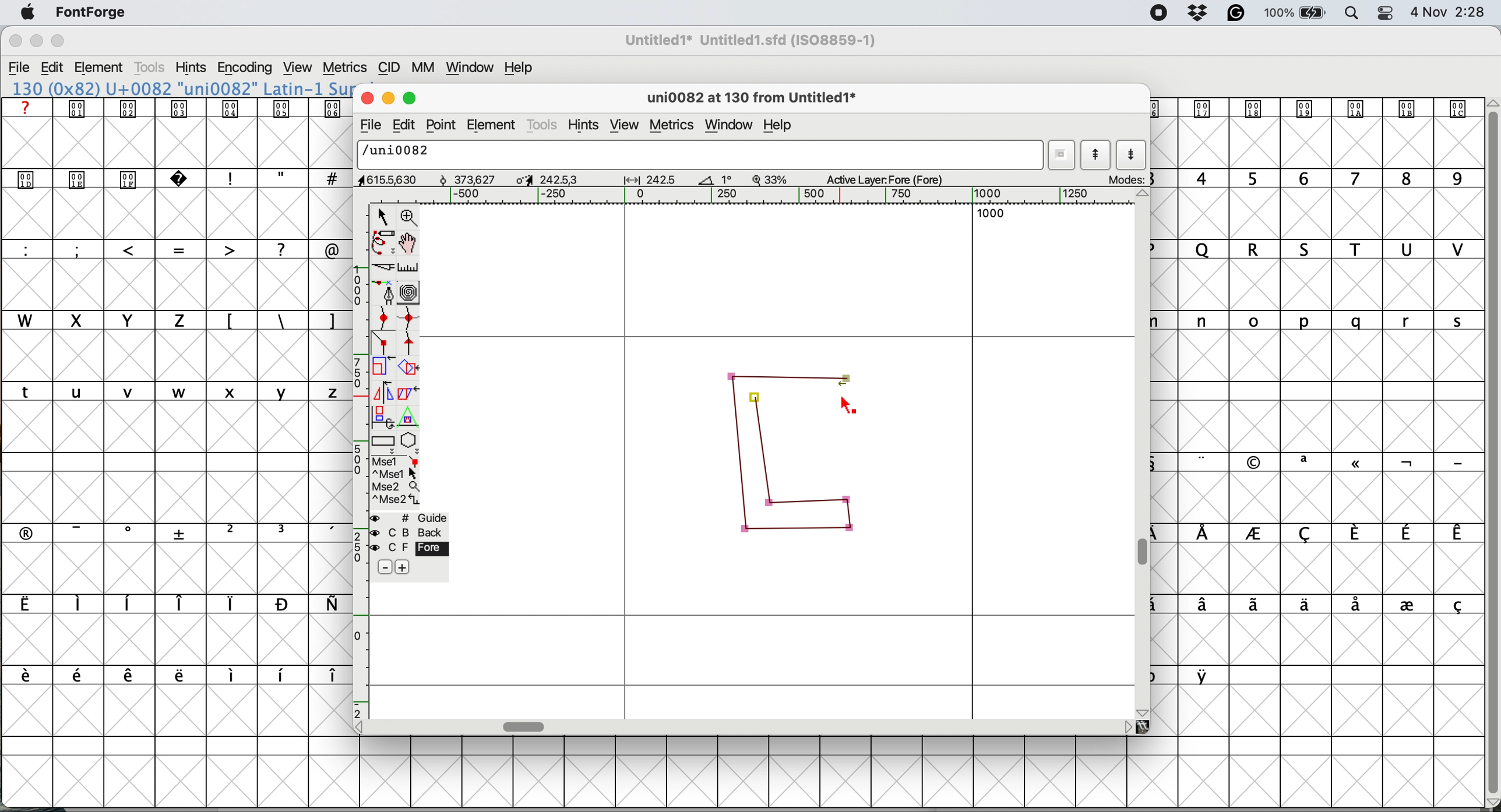 This screenshot has width=1501, height=812. What do you see at coordinates (20, 68) in the screenshot?
I see `file` at bounding box center [20, 68].